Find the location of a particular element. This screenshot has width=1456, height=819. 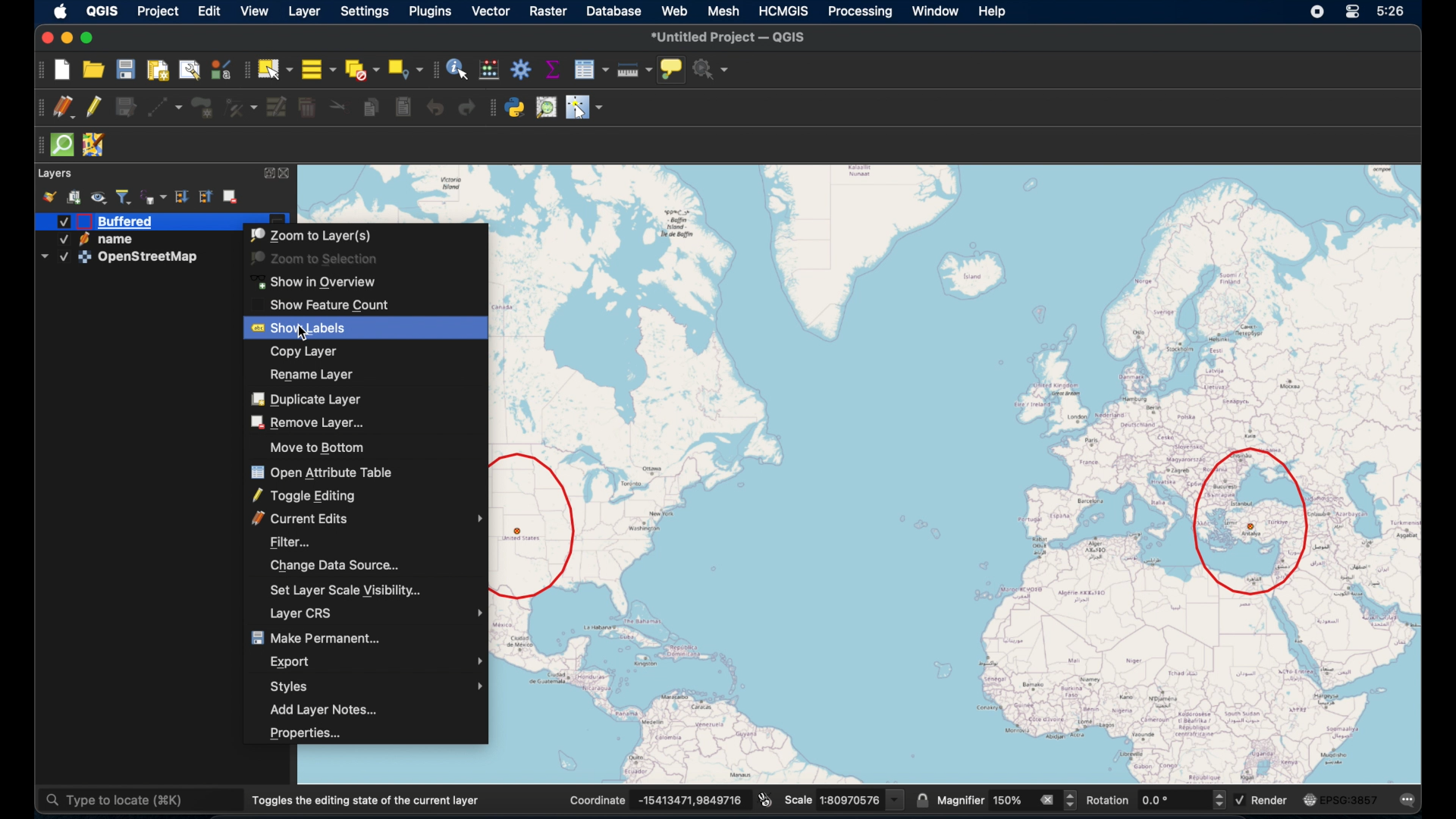

QGIS is located at coordinates (102, 11).